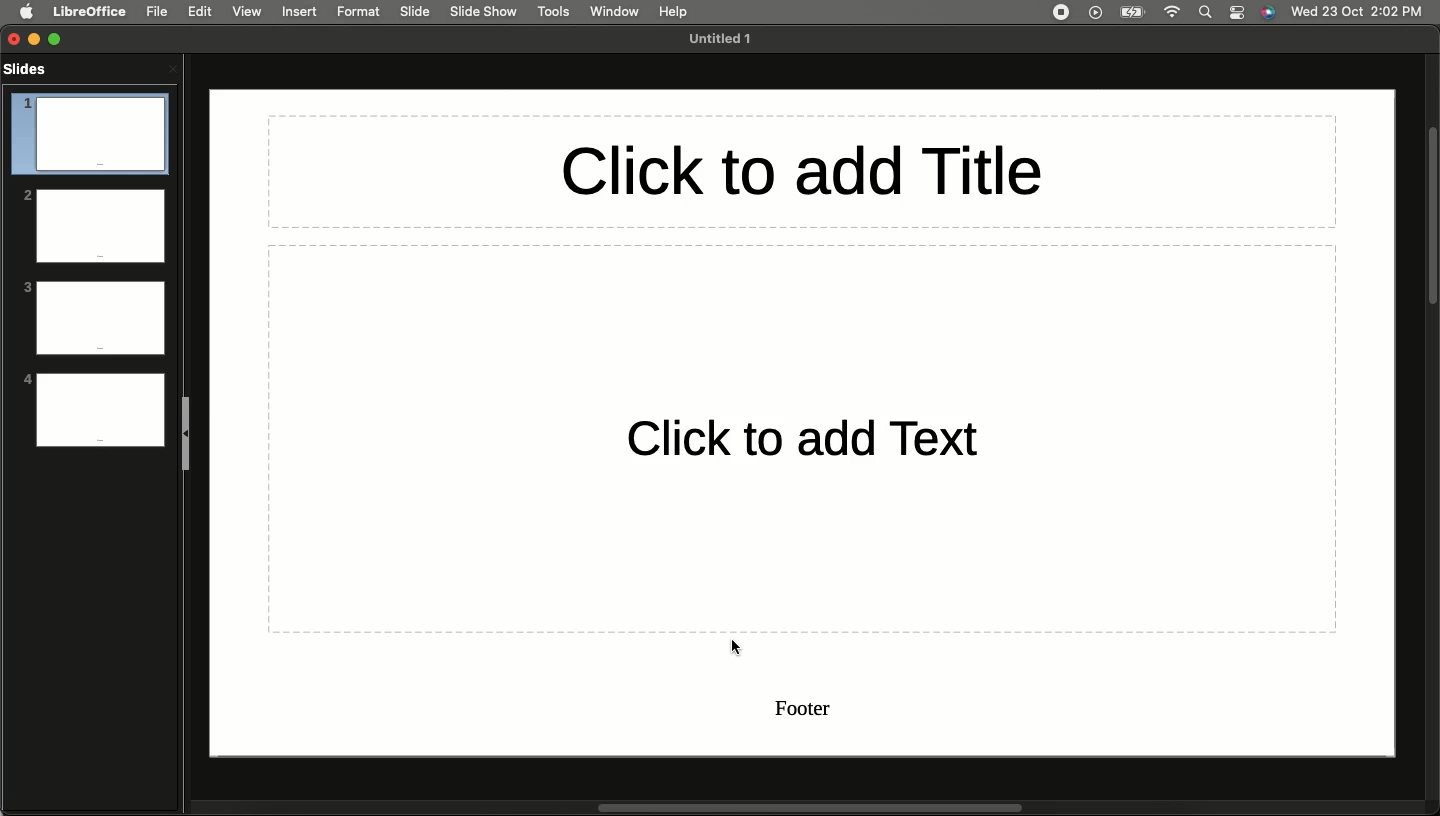  I want to click on Close, so click(14, 39).